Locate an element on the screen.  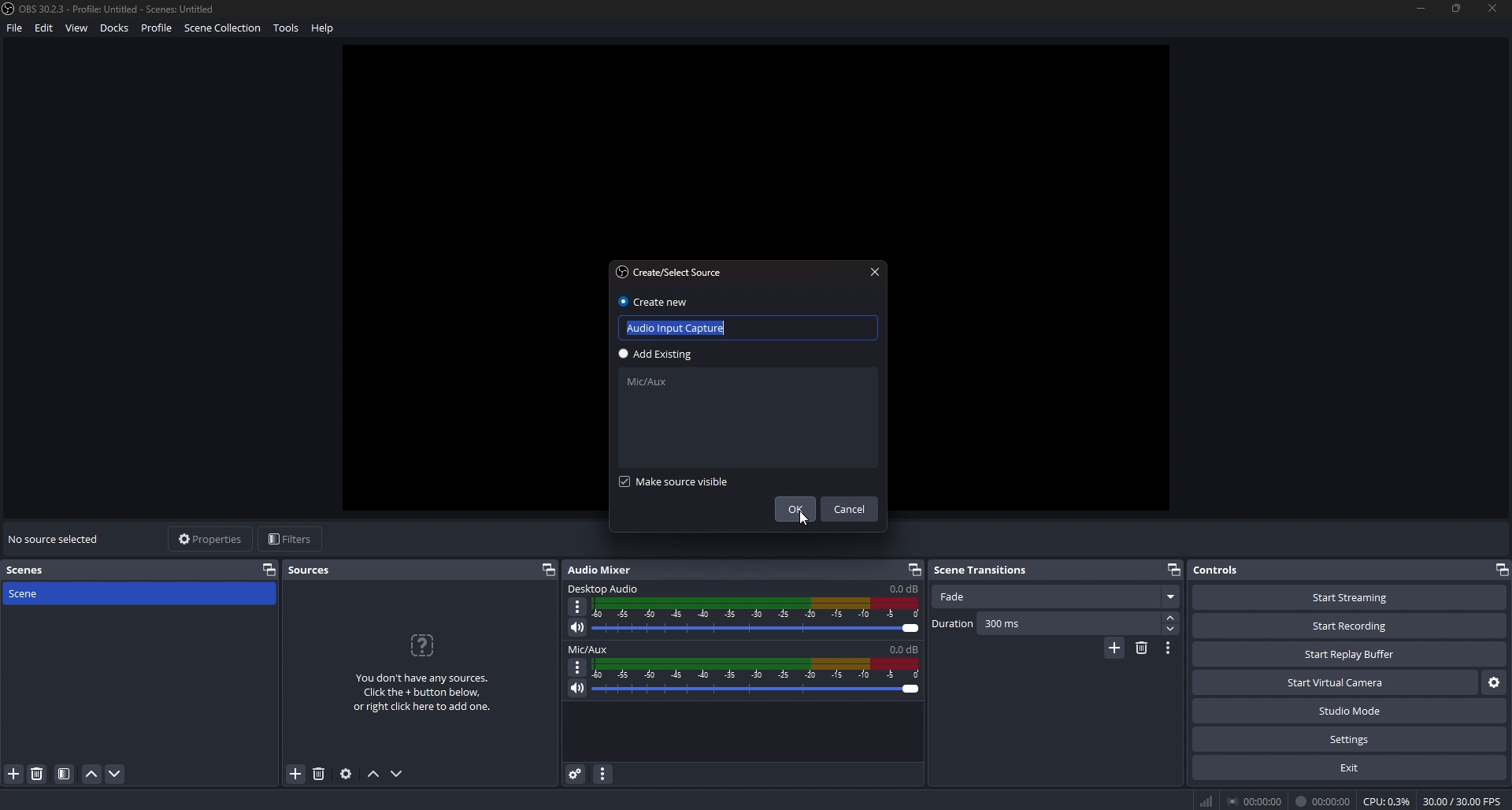
tools is located at coordinates (290, 31).